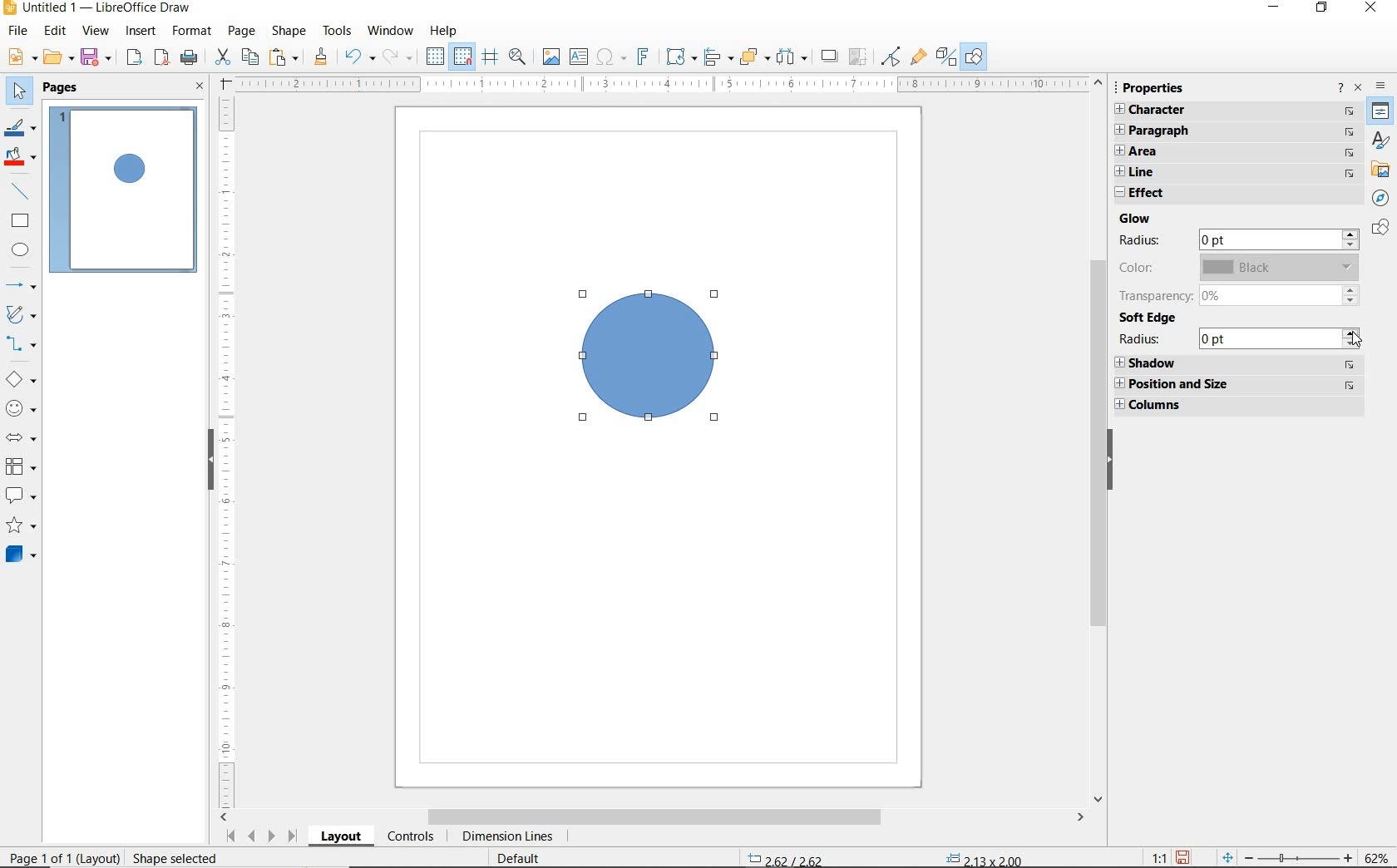  What do you see at coordinates (653, 362) in the screenshot?
I see `Blue circle` at bounding box center [653, 362].